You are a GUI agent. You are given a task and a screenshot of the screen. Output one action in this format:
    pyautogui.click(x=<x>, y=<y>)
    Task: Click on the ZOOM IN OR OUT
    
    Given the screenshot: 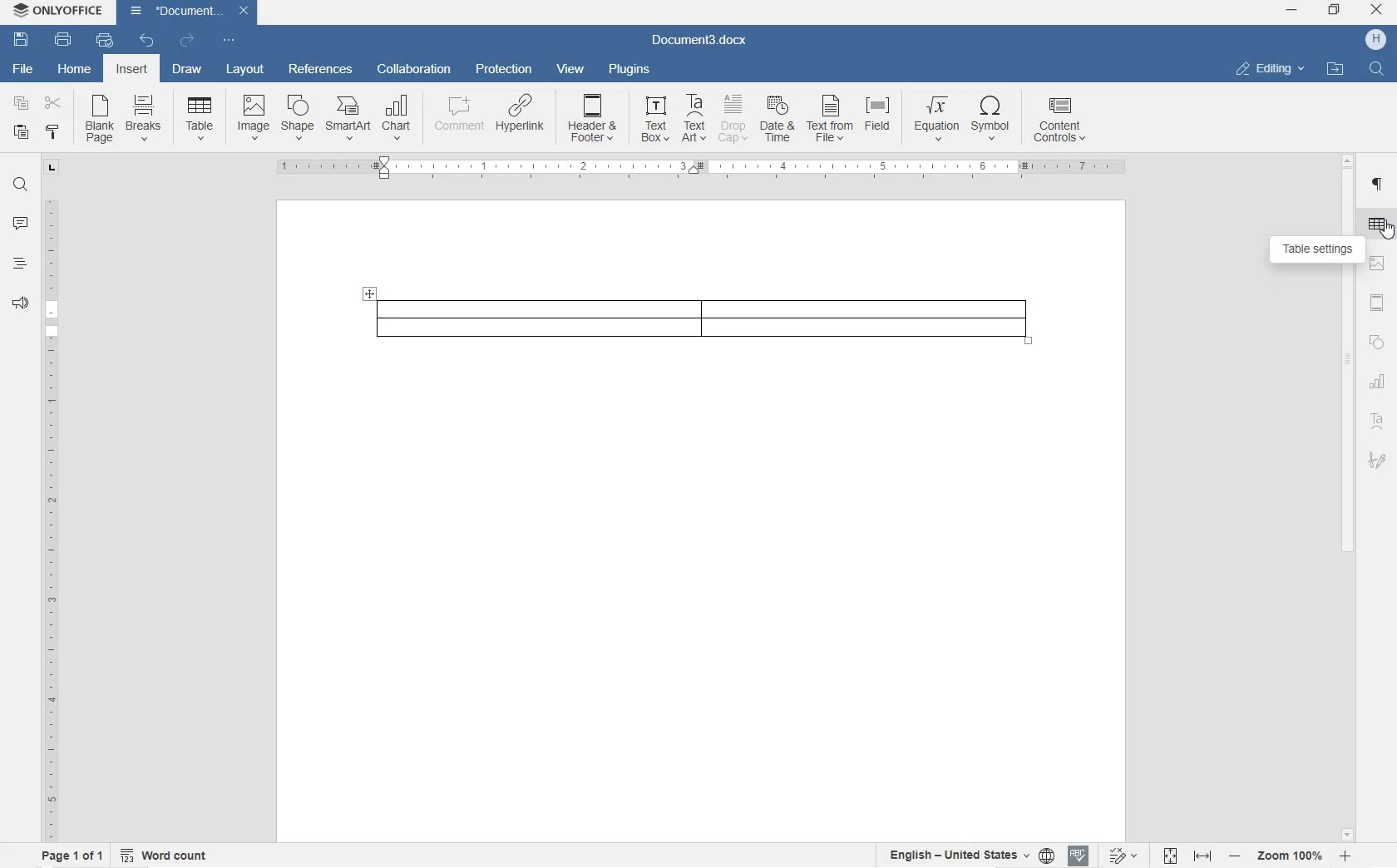 What is the action you would take?
    pyautogui.click(x=1291, y=855)
    